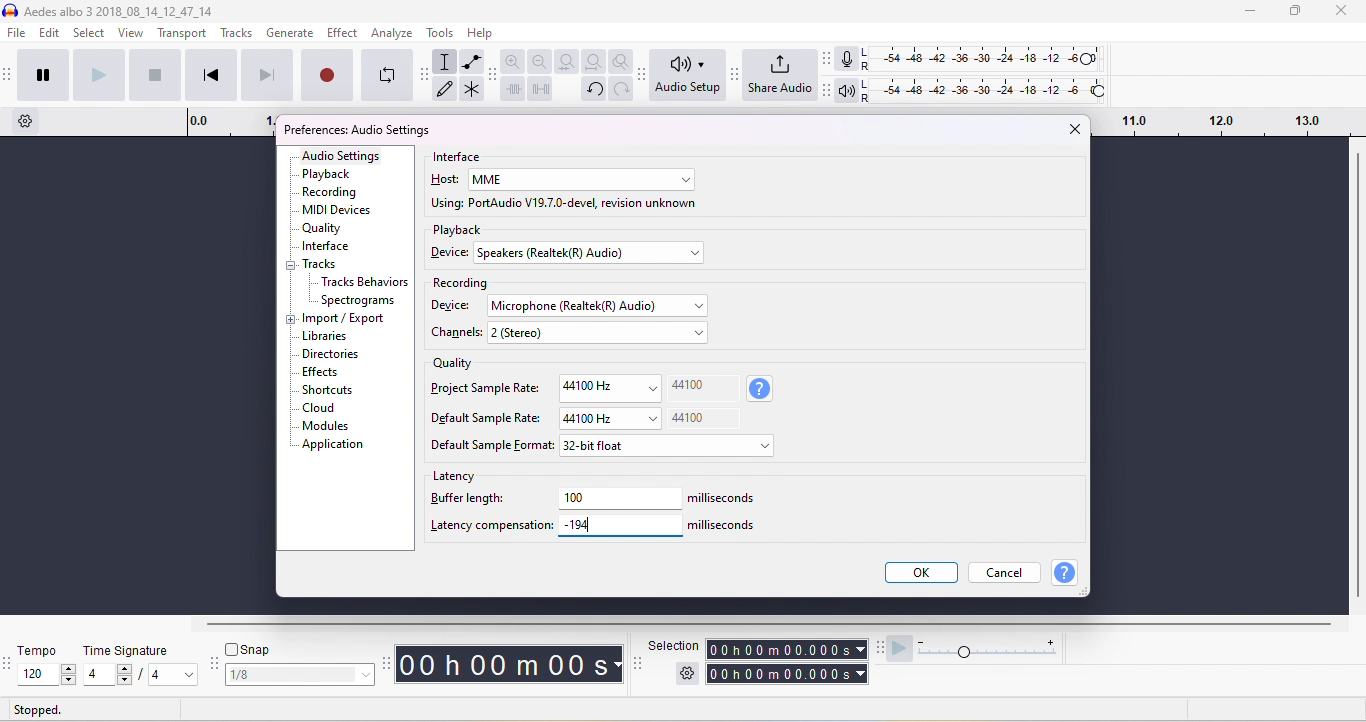 This screenshot has width=1366, height=722. What do you see at coordinates (569, 62) in the screenshot?
I see `fit selection to width` at bounding box center [569, 62].